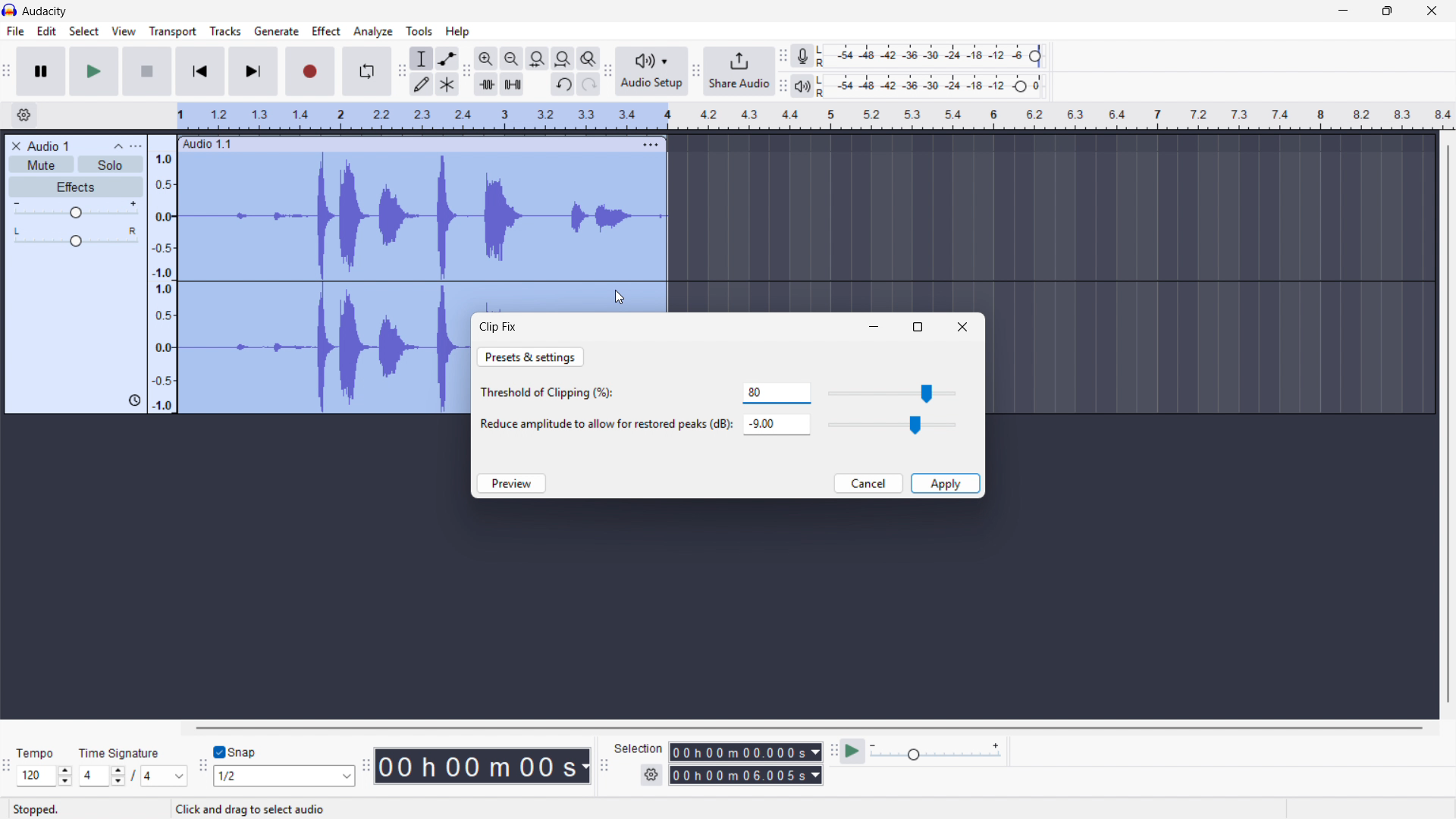 This screenshot has width=1456, height=819. I want to click on Close, so click(1432, 11).